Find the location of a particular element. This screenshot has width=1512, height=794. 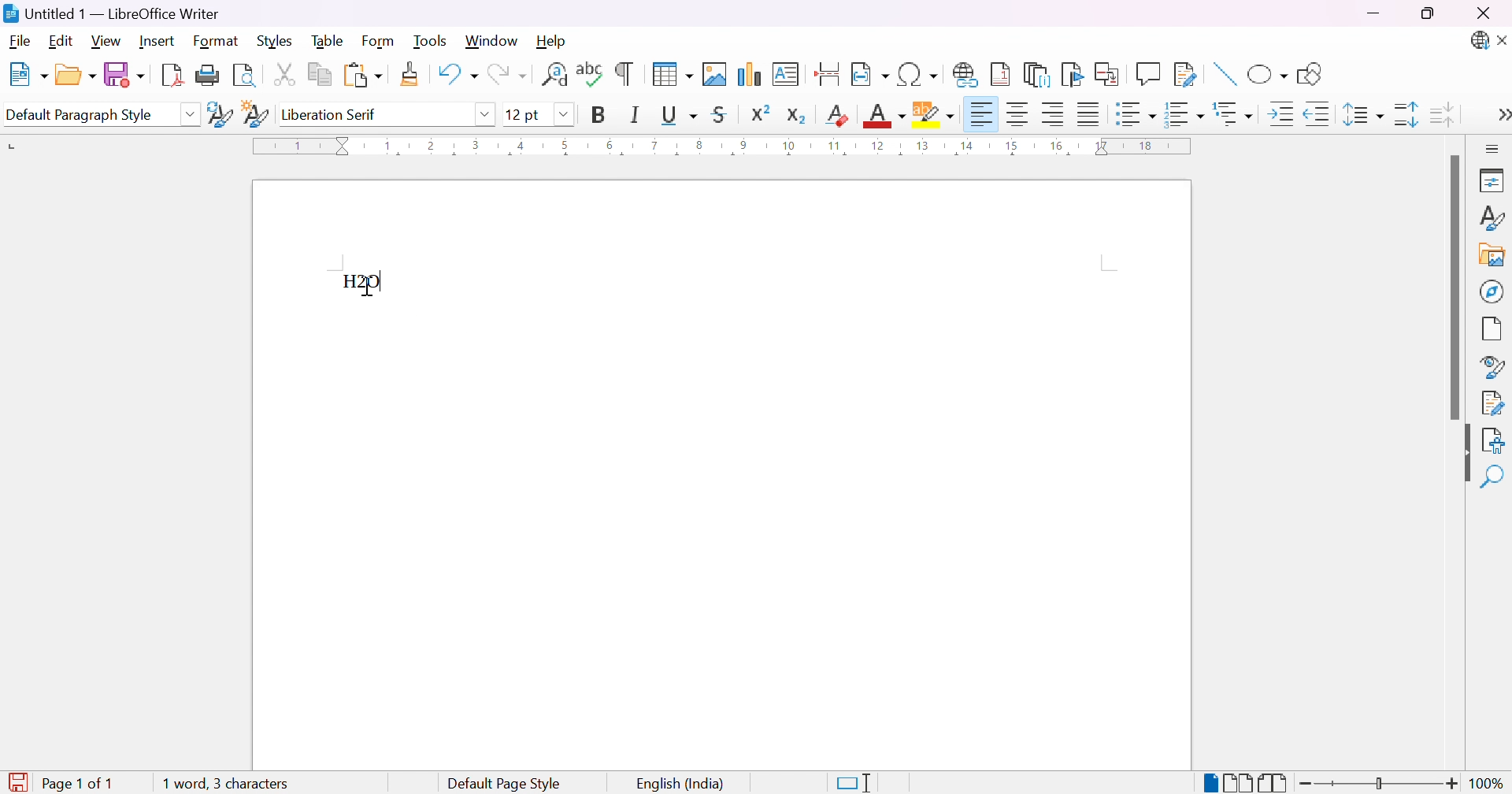

Paste is located at coordinates (362, 76).